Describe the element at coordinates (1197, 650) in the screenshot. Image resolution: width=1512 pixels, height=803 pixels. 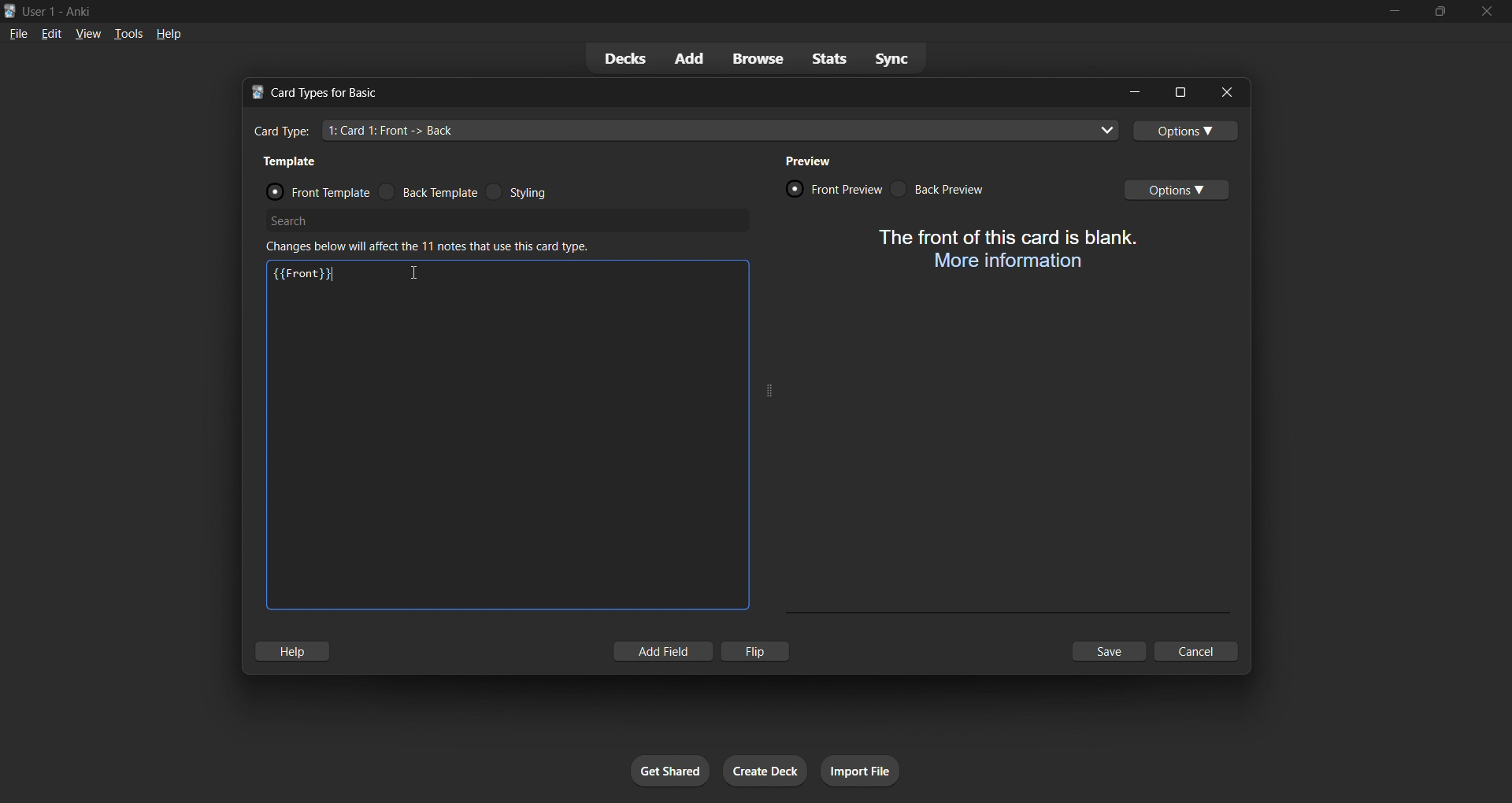
I see `cancel` at that location.